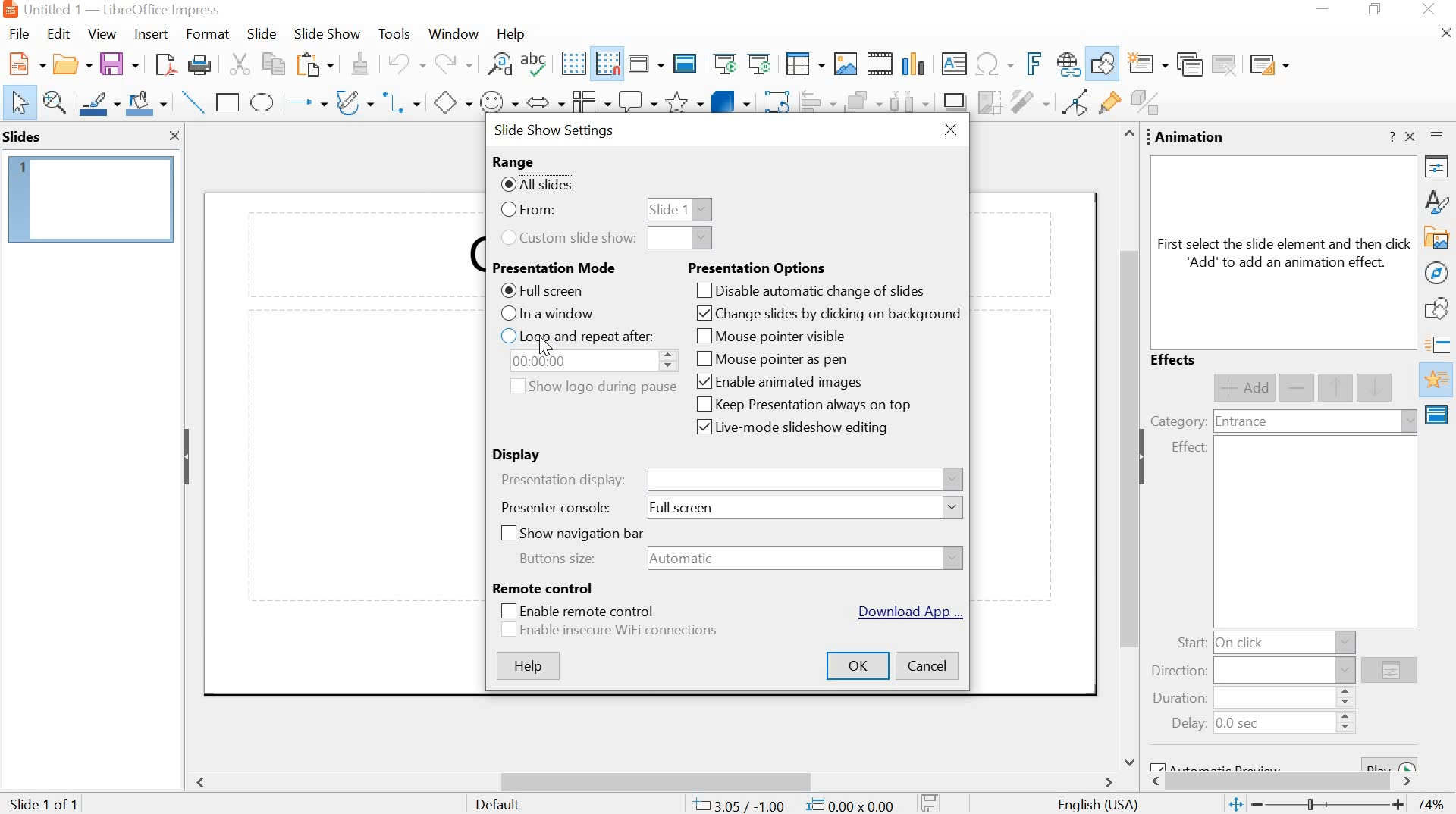 Image resolution: width=1456 pixels, height=814 pixels. What do you see at coordinates (199, 67) in the screenshot?
I see `print` at bounding box center [199, 67].